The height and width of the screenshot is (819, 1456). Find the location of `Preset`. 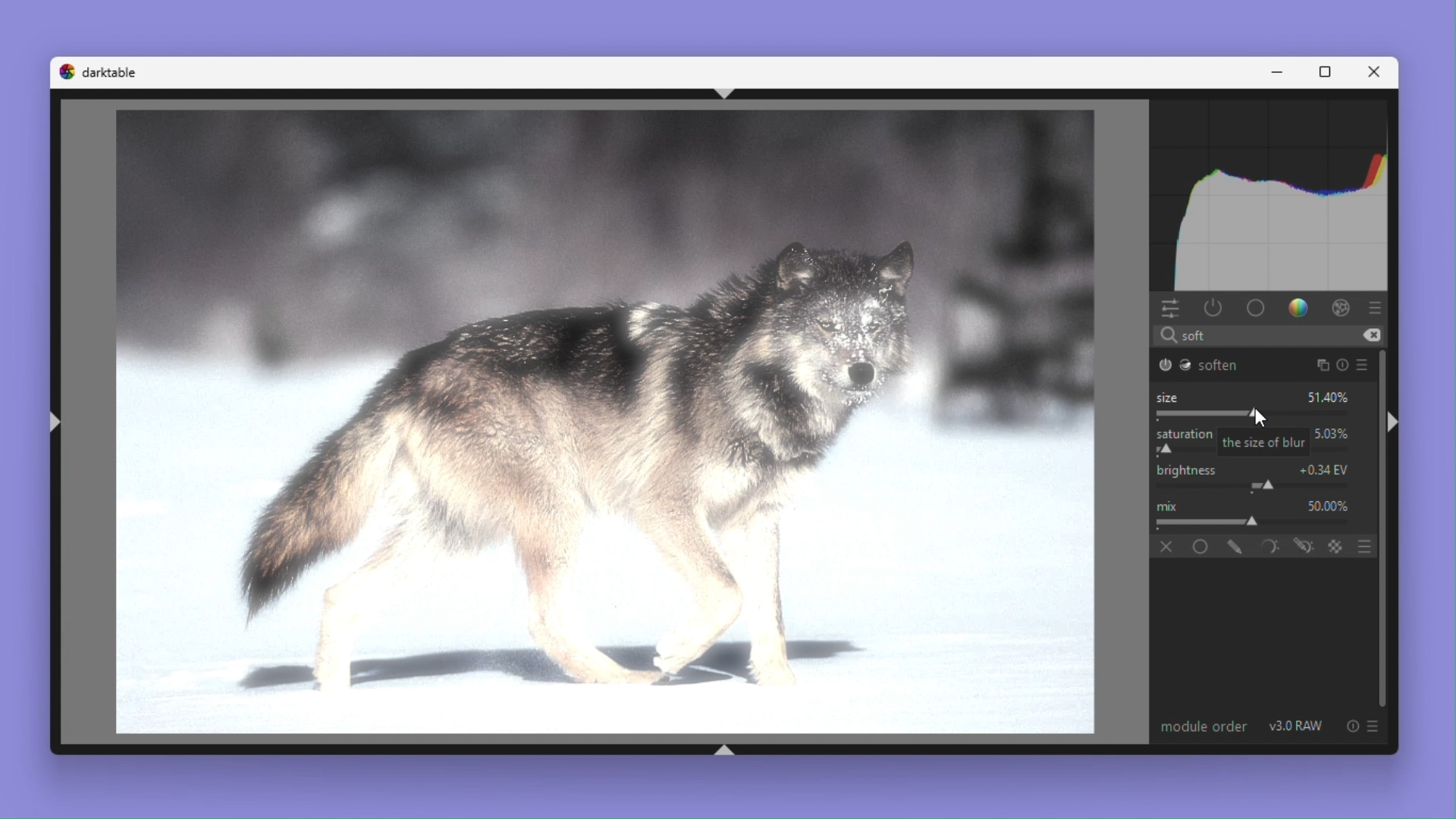

Preset is located at coordinates (1367, 365).